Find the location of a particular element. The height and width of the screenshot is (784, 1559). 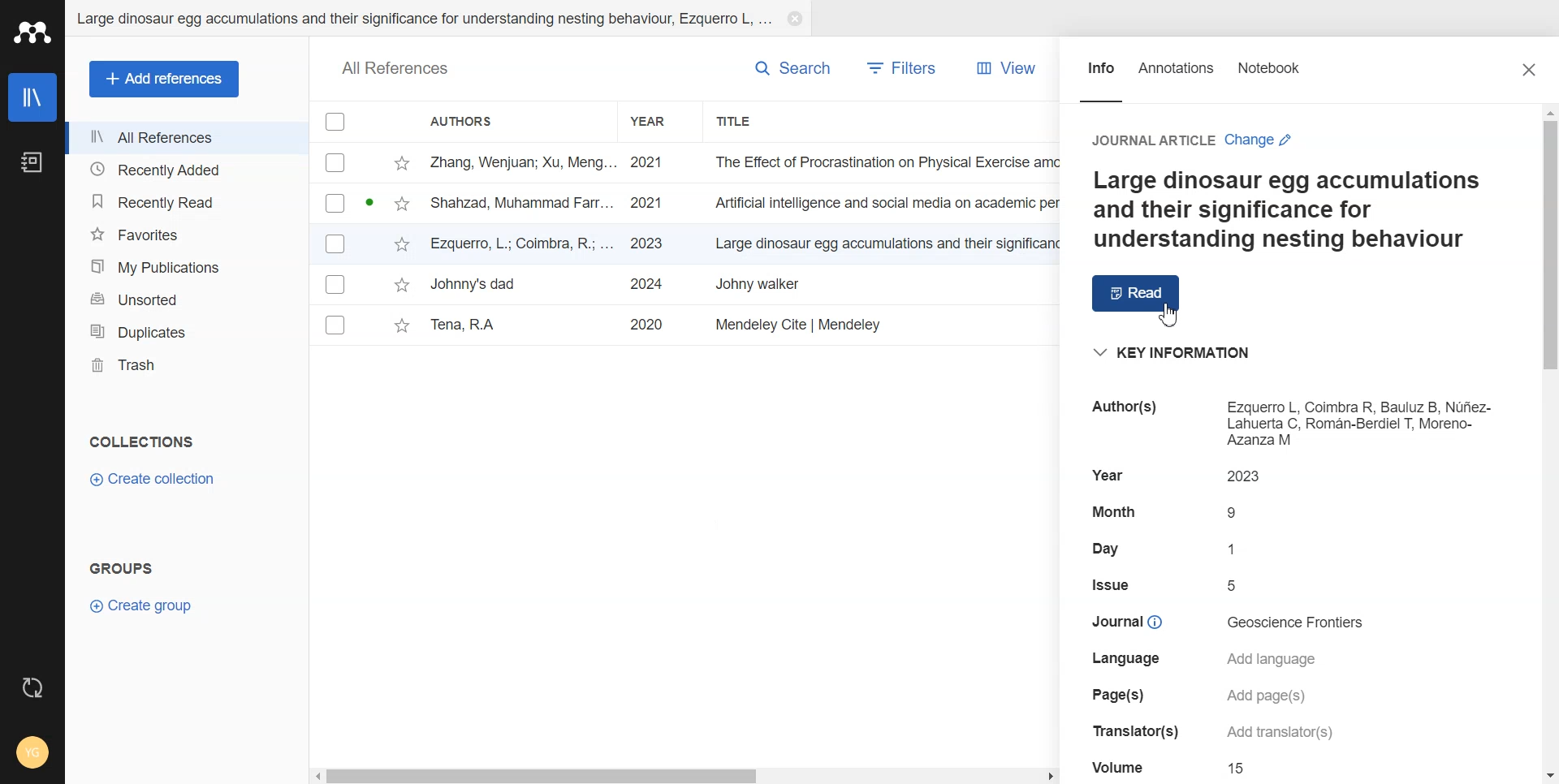

Duplicates is located at coordinates (184, 330).